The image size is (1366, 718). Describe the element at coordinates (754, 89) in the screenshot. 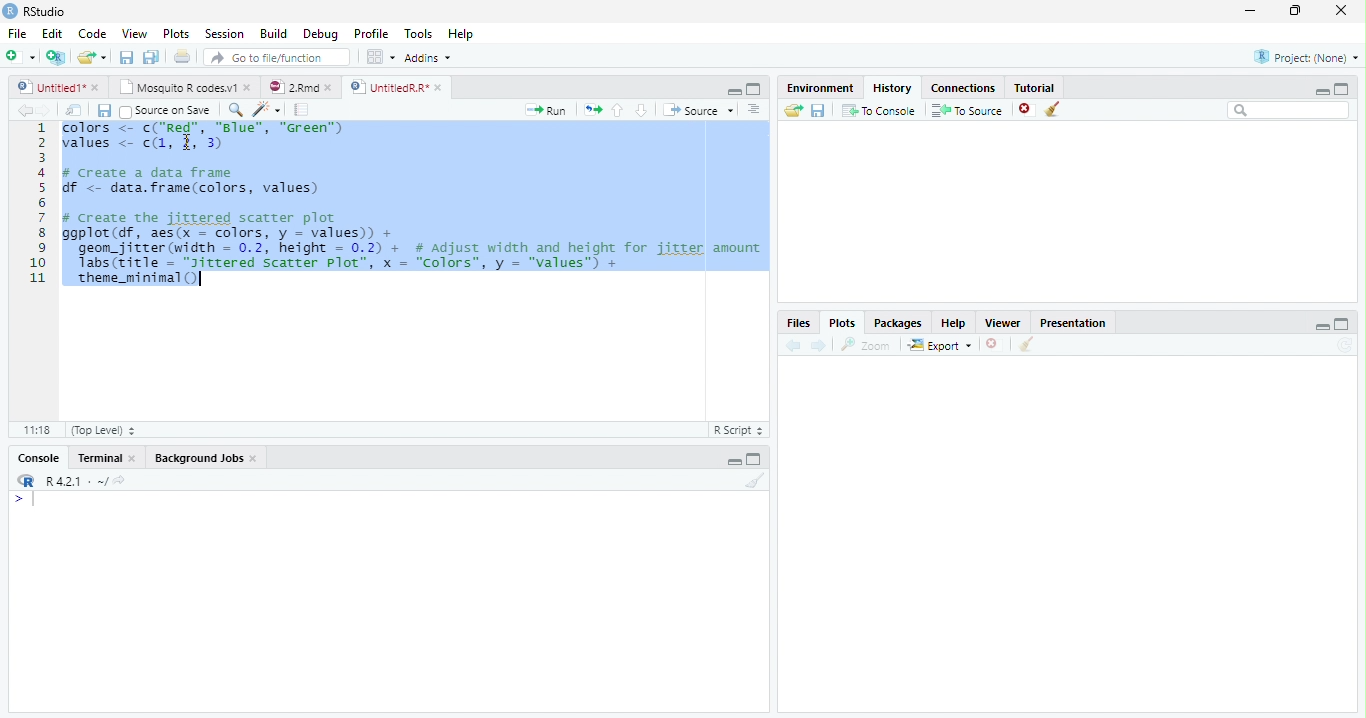

I see `Maximize` at that location.